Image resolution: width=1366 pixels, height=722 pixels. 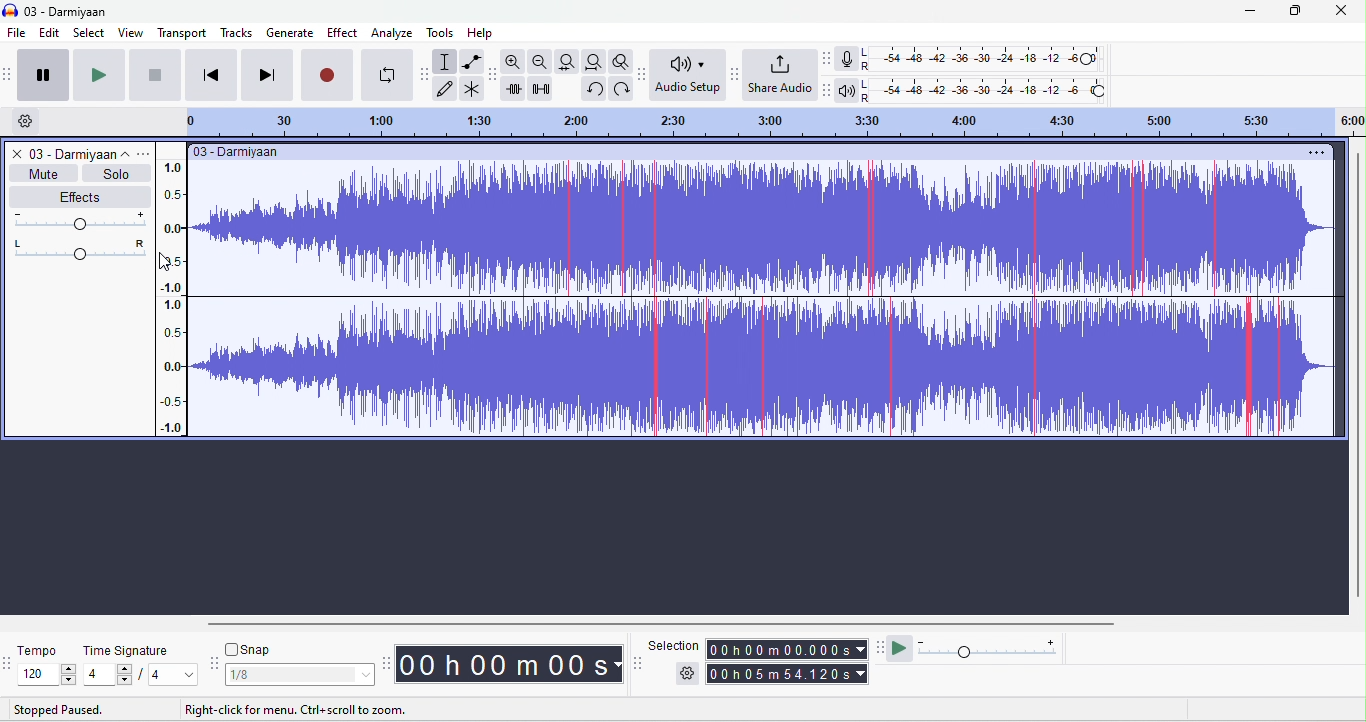 What do you see at coordinates (830, 88) in the screenshot?
I see `audacity playback meter tool bar` at bounding box center [830, 88].